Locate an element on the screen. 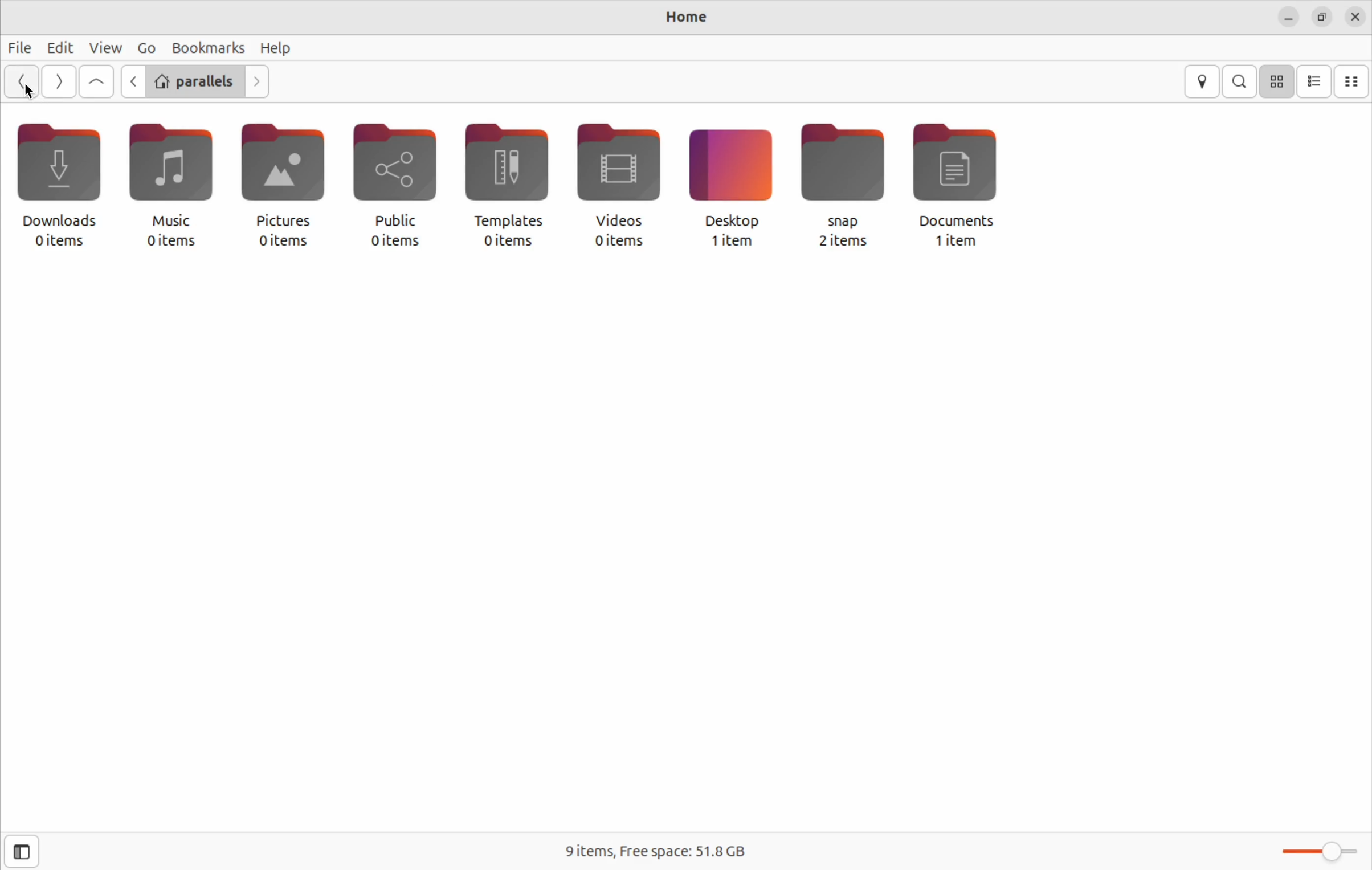 Image resolution: width=1372 pixels, height=870 pixels. toggle zoom is located at coordinates (1319, 850).